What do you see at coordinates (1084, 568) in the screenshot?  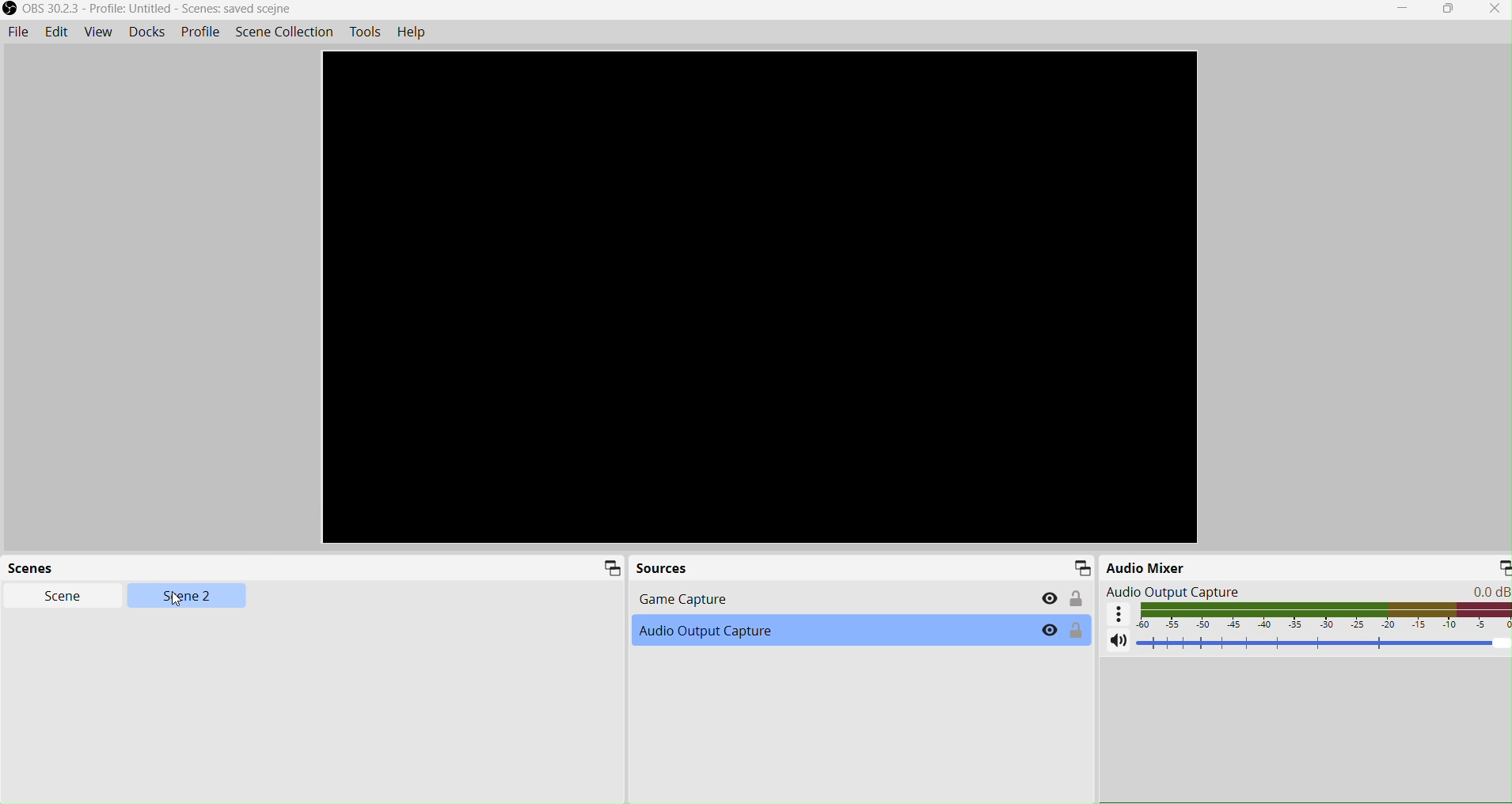 I see `Minimize` at bounding box center [1084, 568].